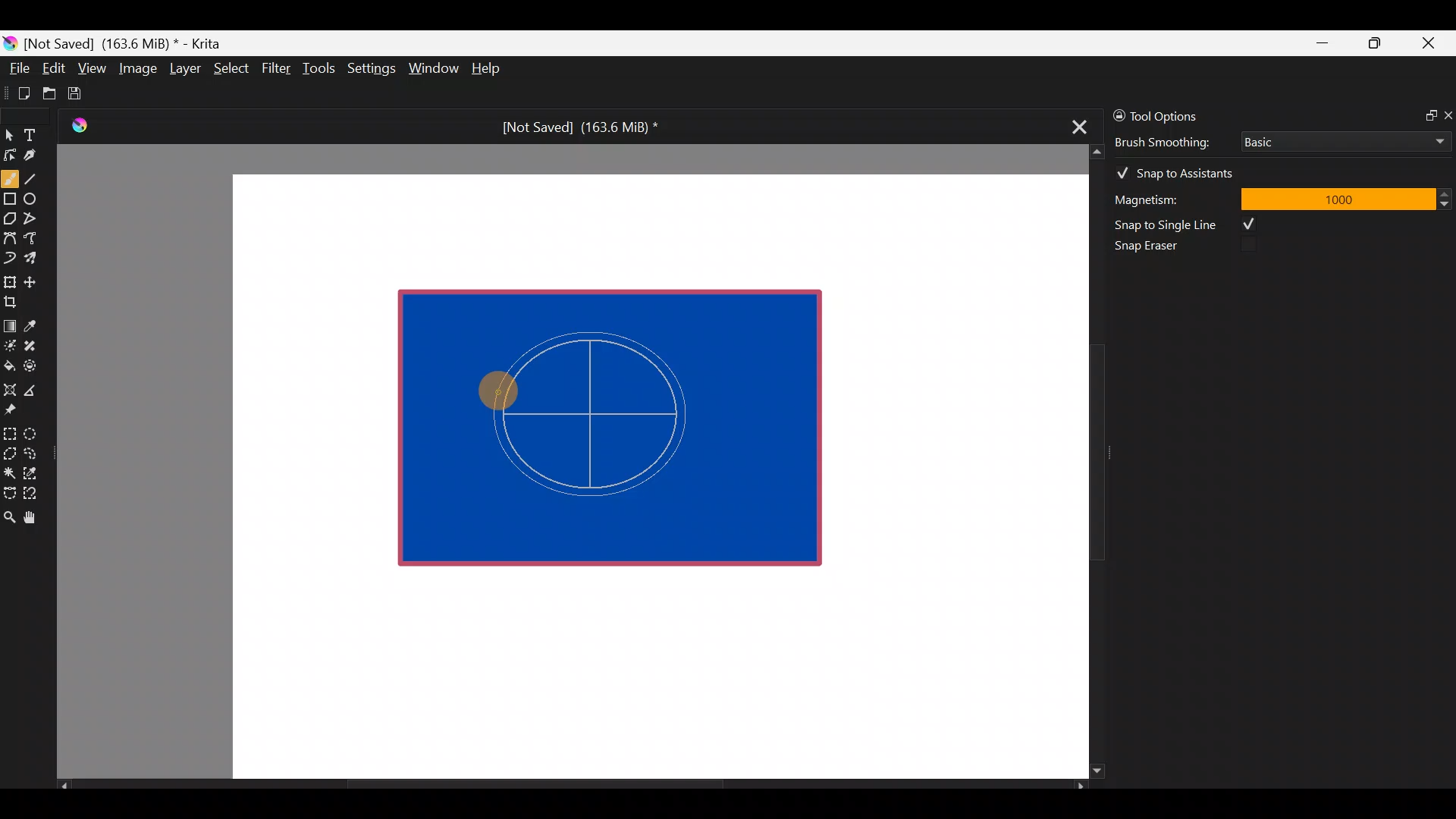 The height and width of the screenshot is (819, 1456). Describe the element at coordinates (35, 385) in the screenshot. I see `Measure the distance between two points` at that location.